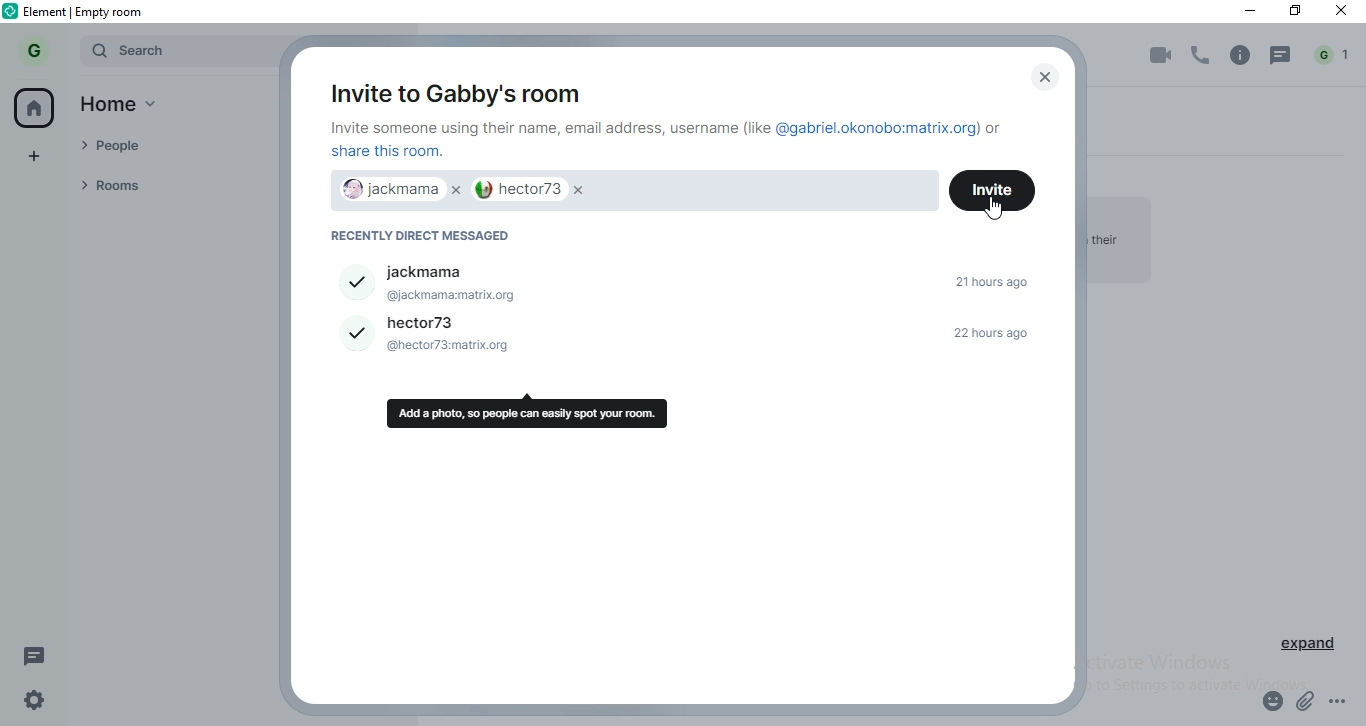 This screenshot has width=1366, height=726. Describe the element at coordinates (129, 107) in the screenshot. I see `home` at that location.